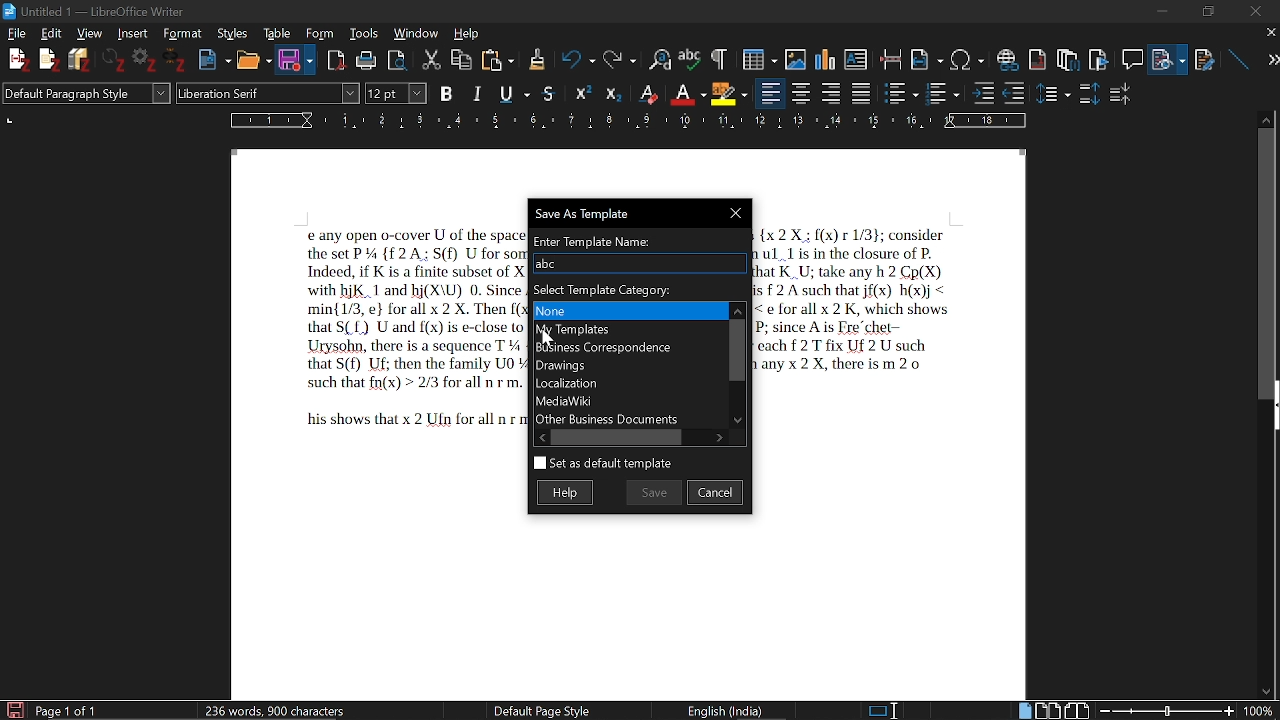 The height and width of the screenshot is (720, 1280). I want to click on toggle ordered lists, so click(944, 92).